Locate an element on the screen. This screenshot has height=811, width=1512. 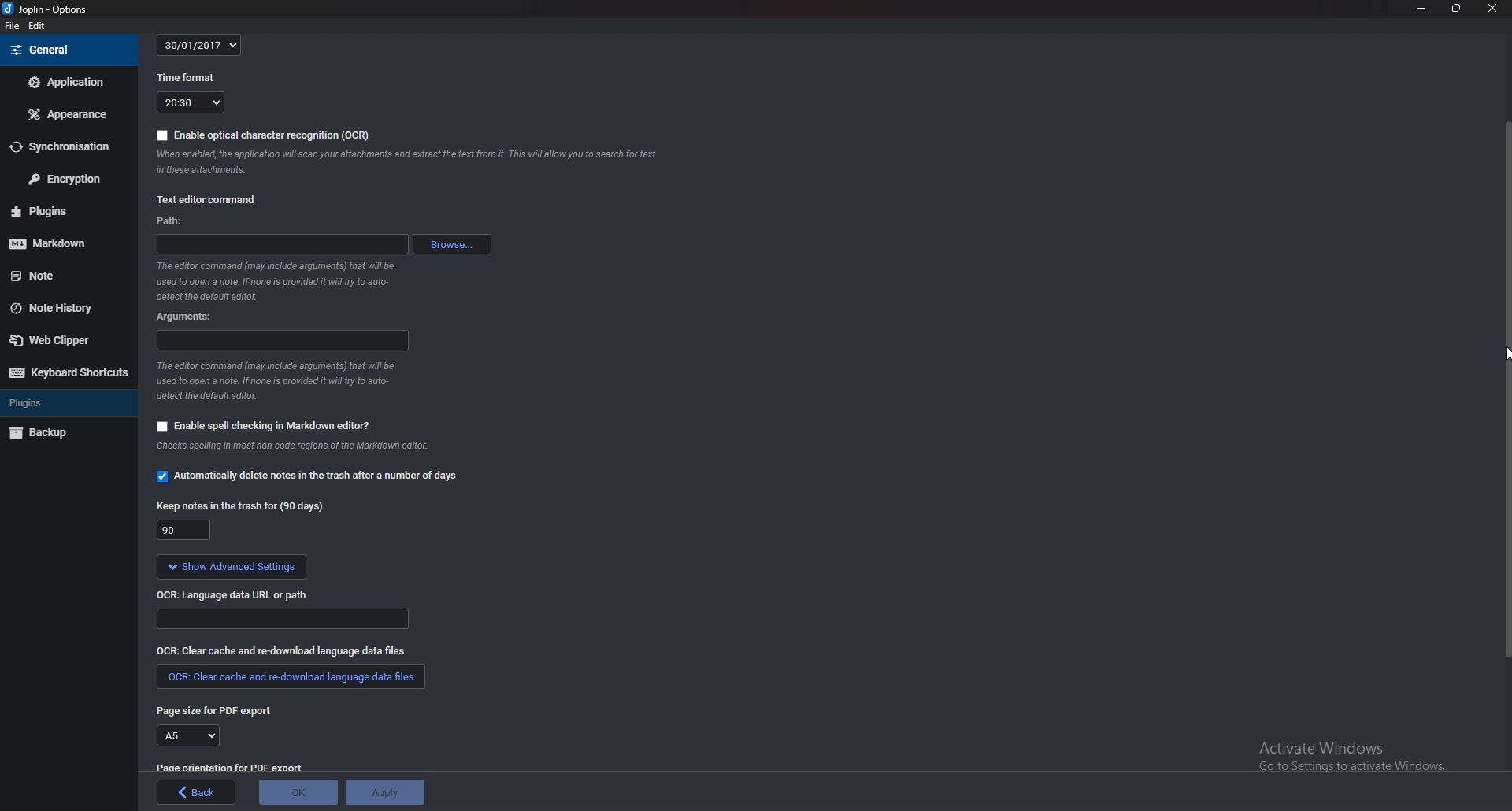
Language data is located at coordinates (284, 620).